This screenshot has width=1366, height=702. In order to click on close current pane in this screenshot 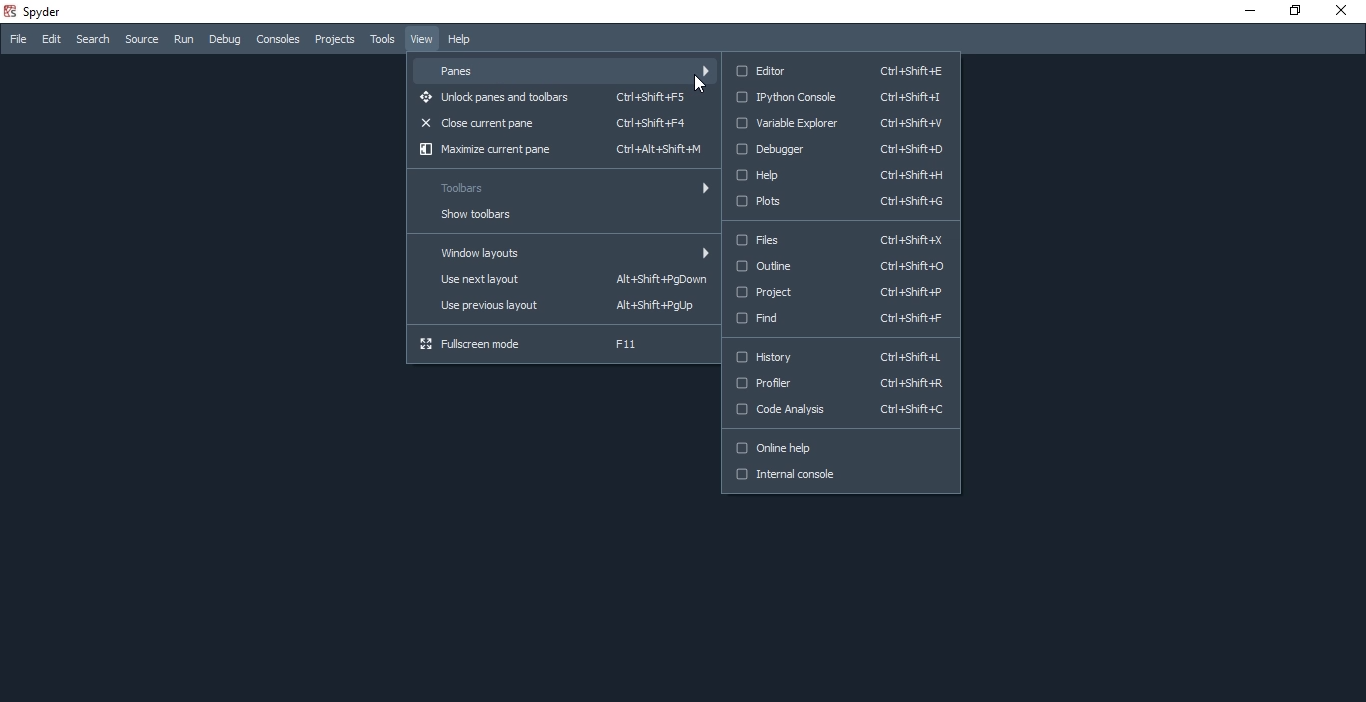, I will do `click(564, 122)`.